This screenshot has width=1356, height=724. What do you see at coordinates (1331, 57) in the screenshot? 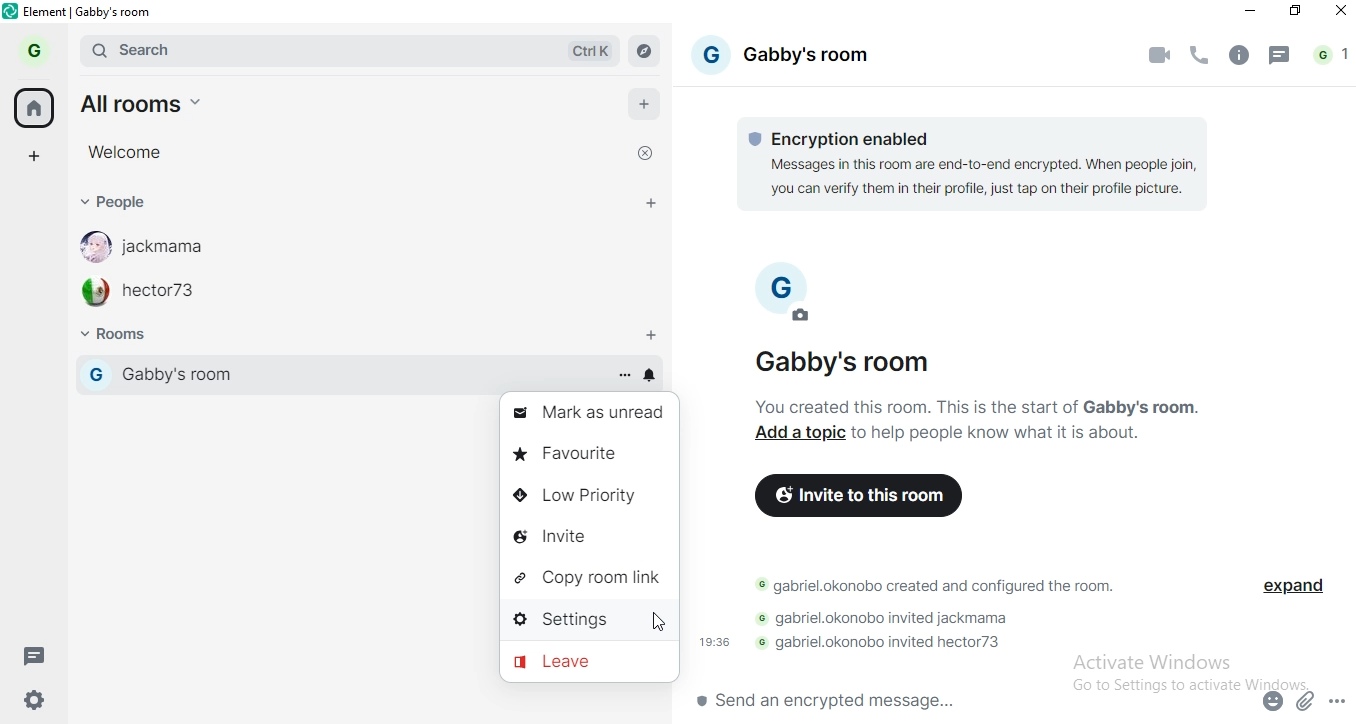
I see `notification` at bounding box center [1331, 57].